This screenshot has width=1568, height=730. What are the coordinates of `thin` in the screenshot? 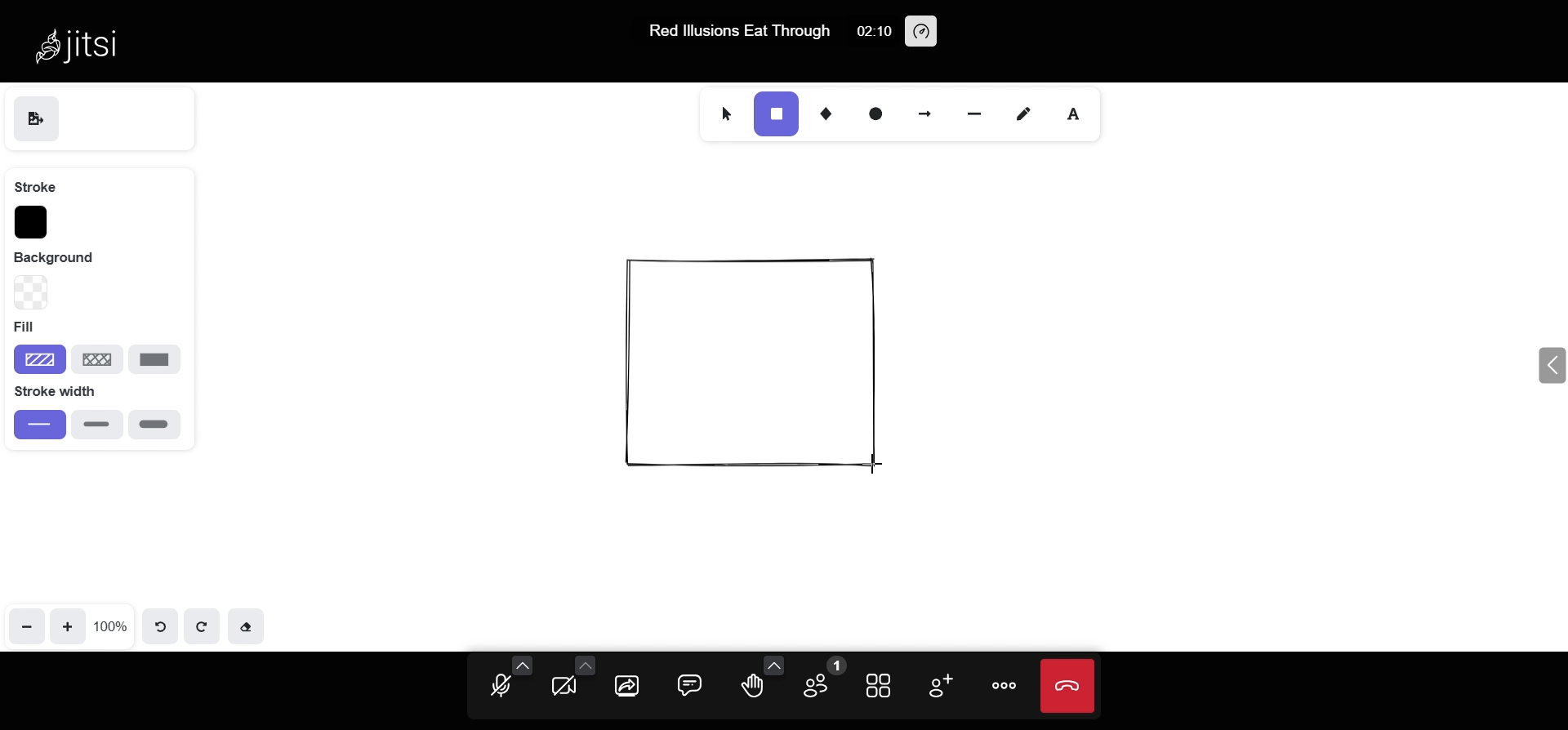 It's located at (39, 425).